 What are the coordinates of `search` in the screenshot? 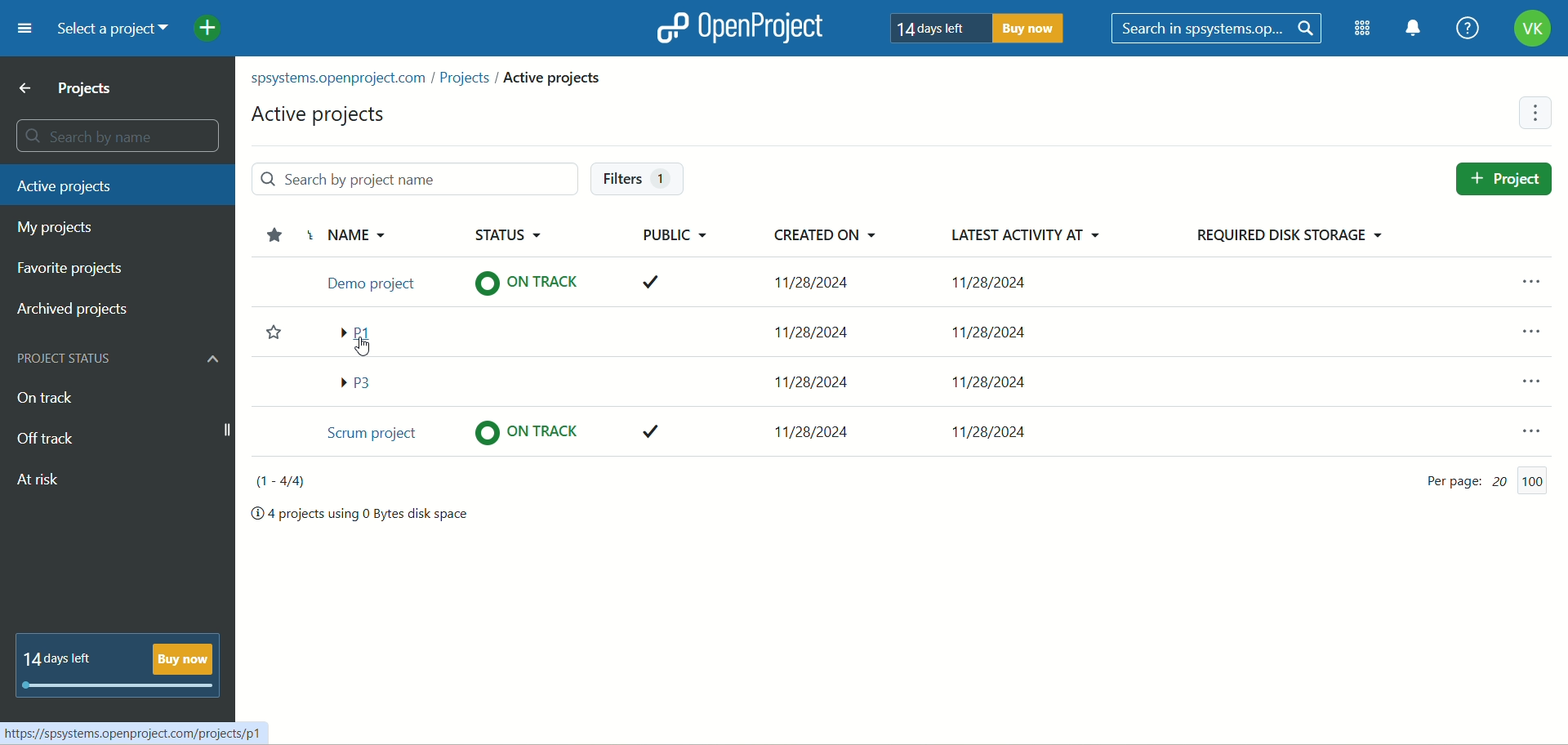 It's located at (119, 135).